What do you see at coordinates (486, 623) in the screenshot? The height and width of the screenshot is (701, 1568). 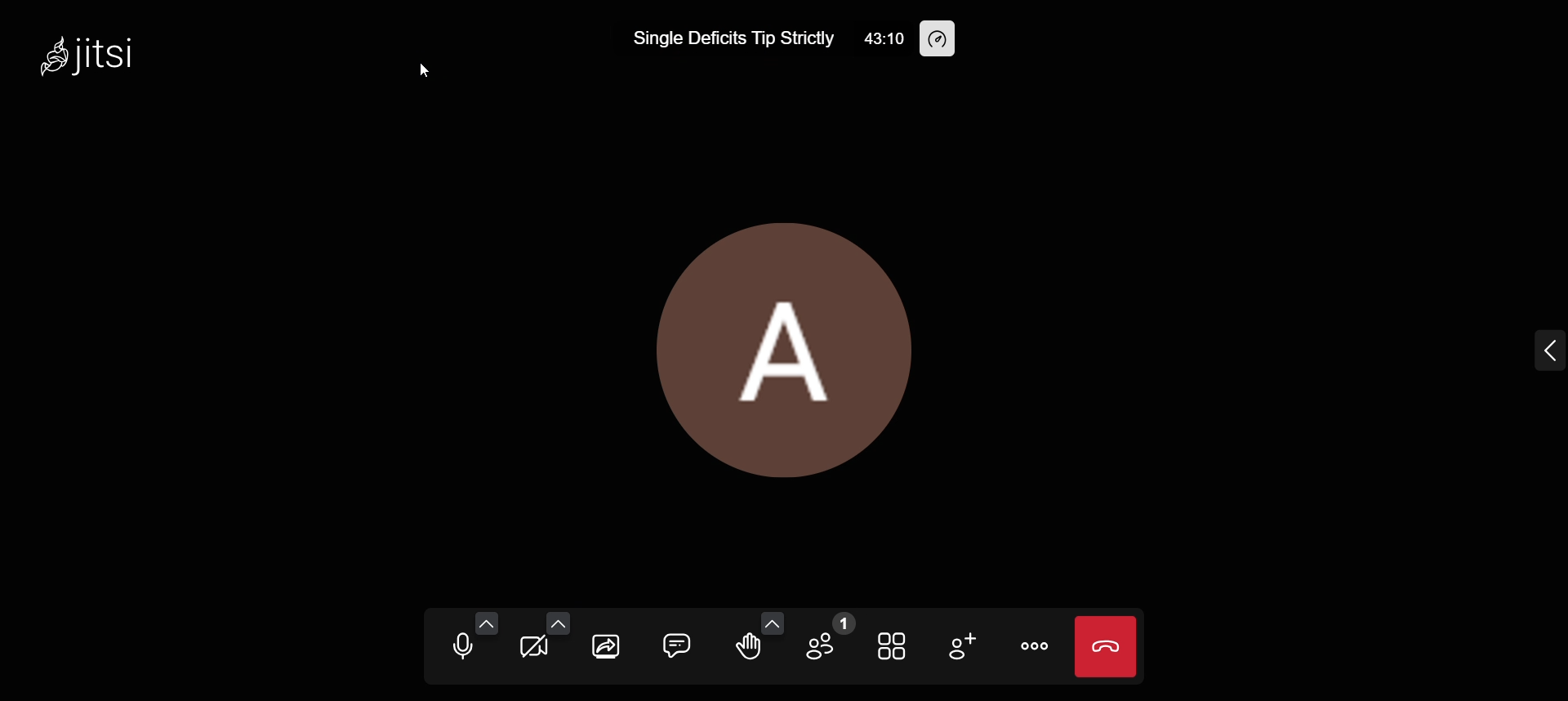 I see `audio setting` at bounding box center [486, 623].